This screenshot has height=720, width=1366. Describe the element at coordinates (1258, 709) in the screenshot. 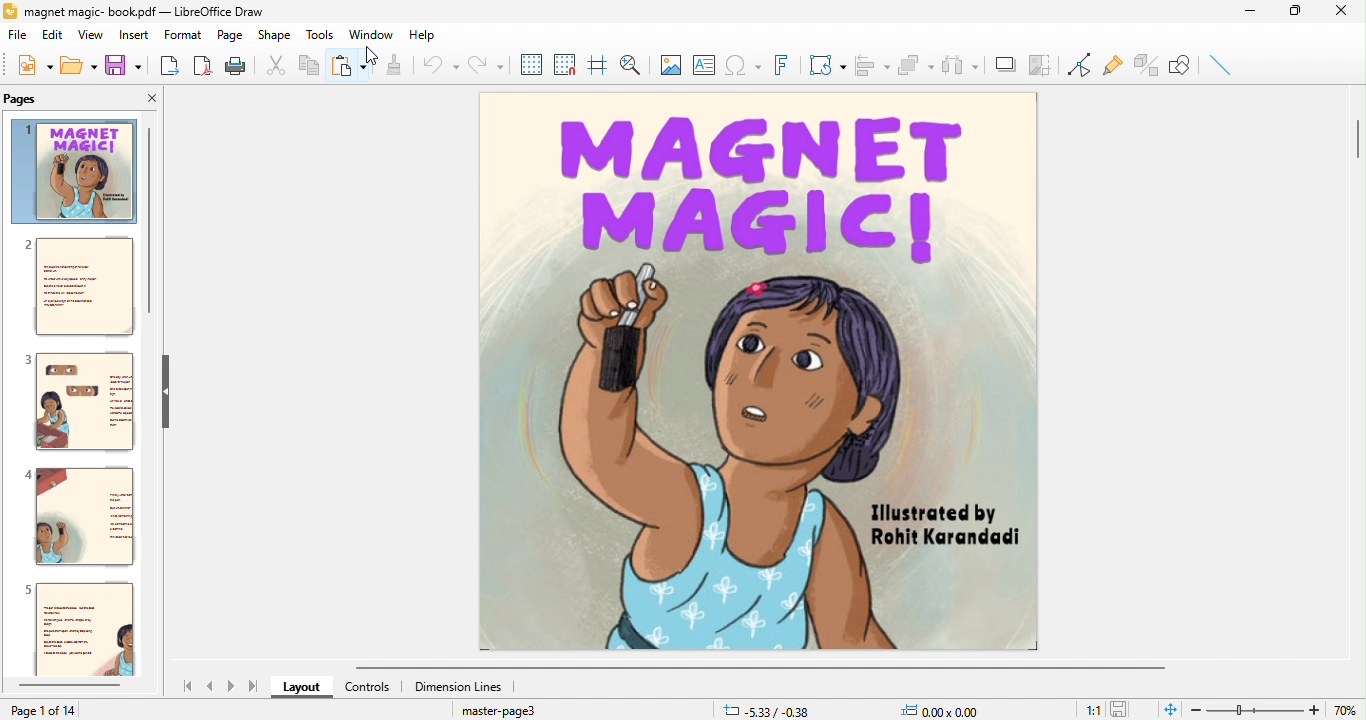

I see `zoom` at that location.